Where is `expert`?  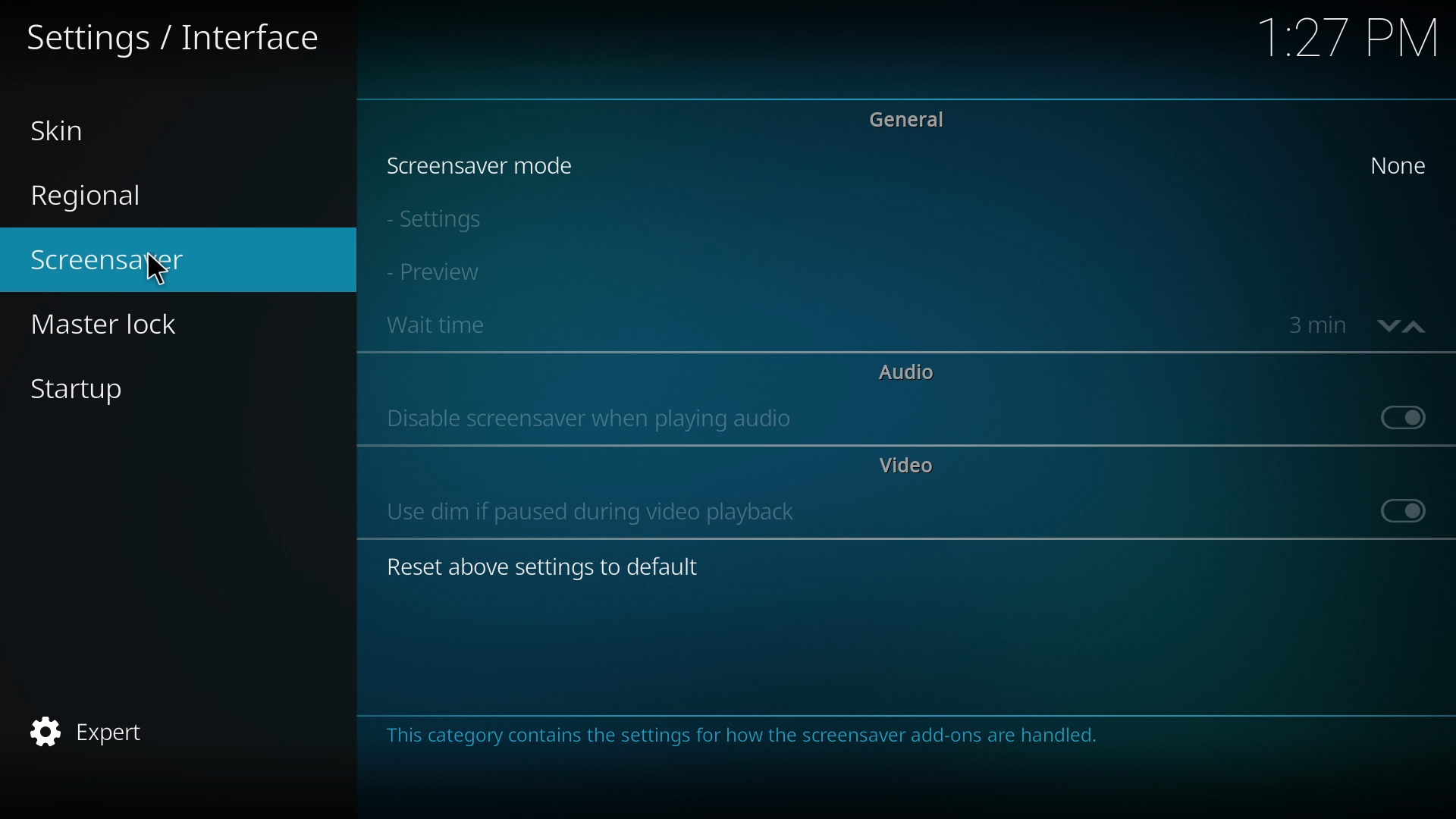
expert is located at coordinates (121, 730).